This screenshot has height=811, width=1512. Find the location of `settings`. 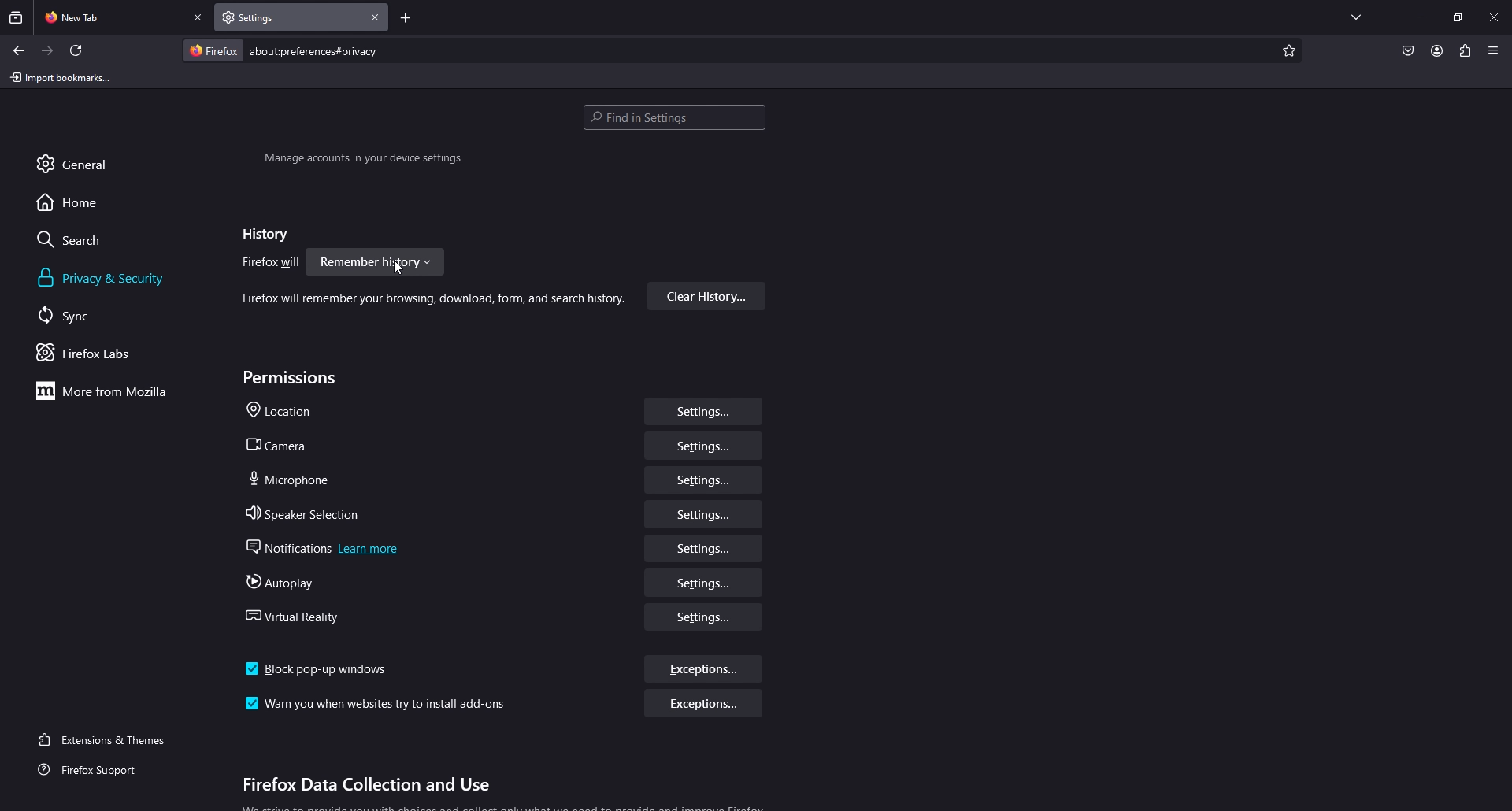

settings is located at coordinates (705, 446).